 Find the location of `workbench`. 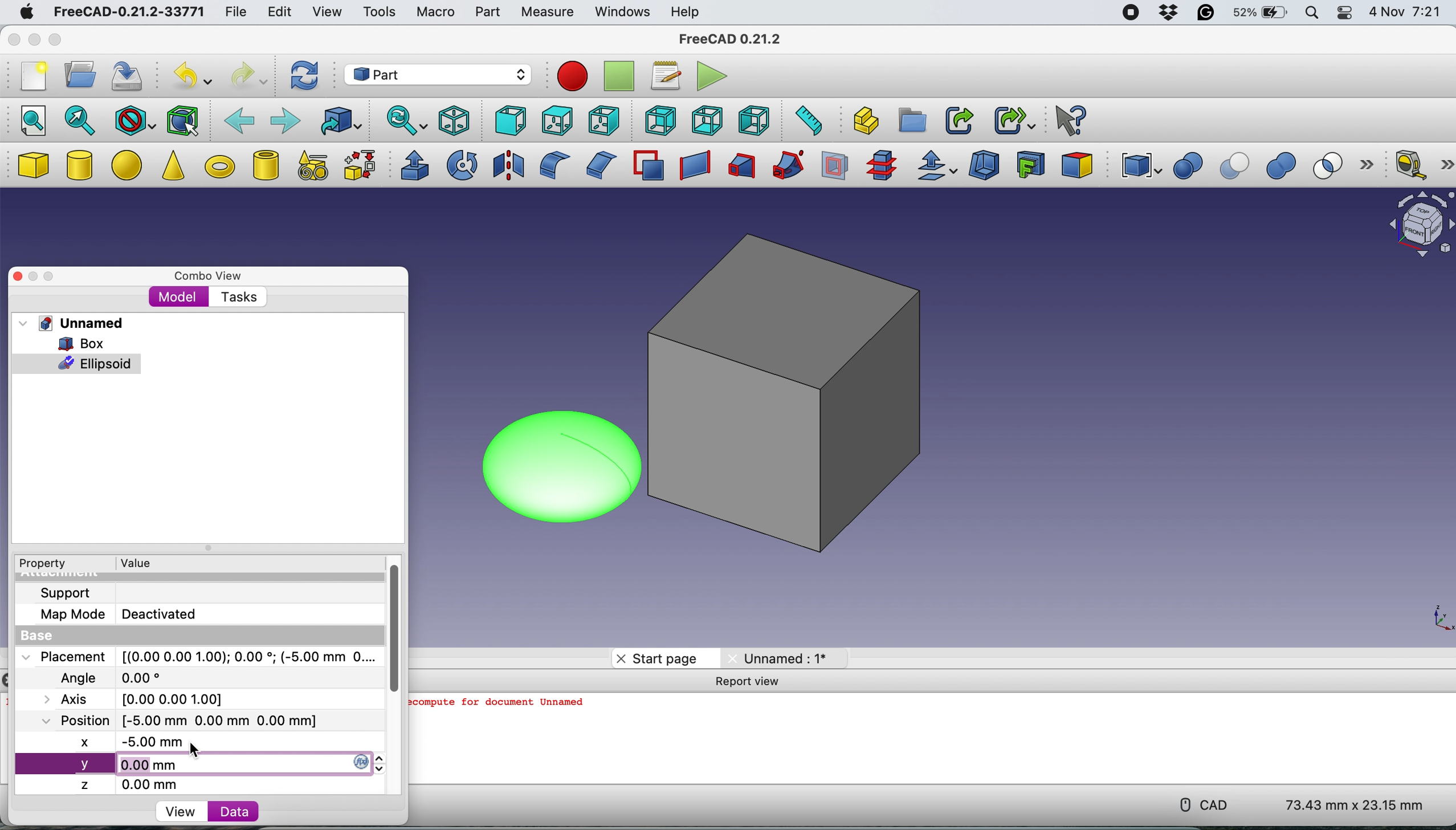

workbench is located at coordinates (437, 74).